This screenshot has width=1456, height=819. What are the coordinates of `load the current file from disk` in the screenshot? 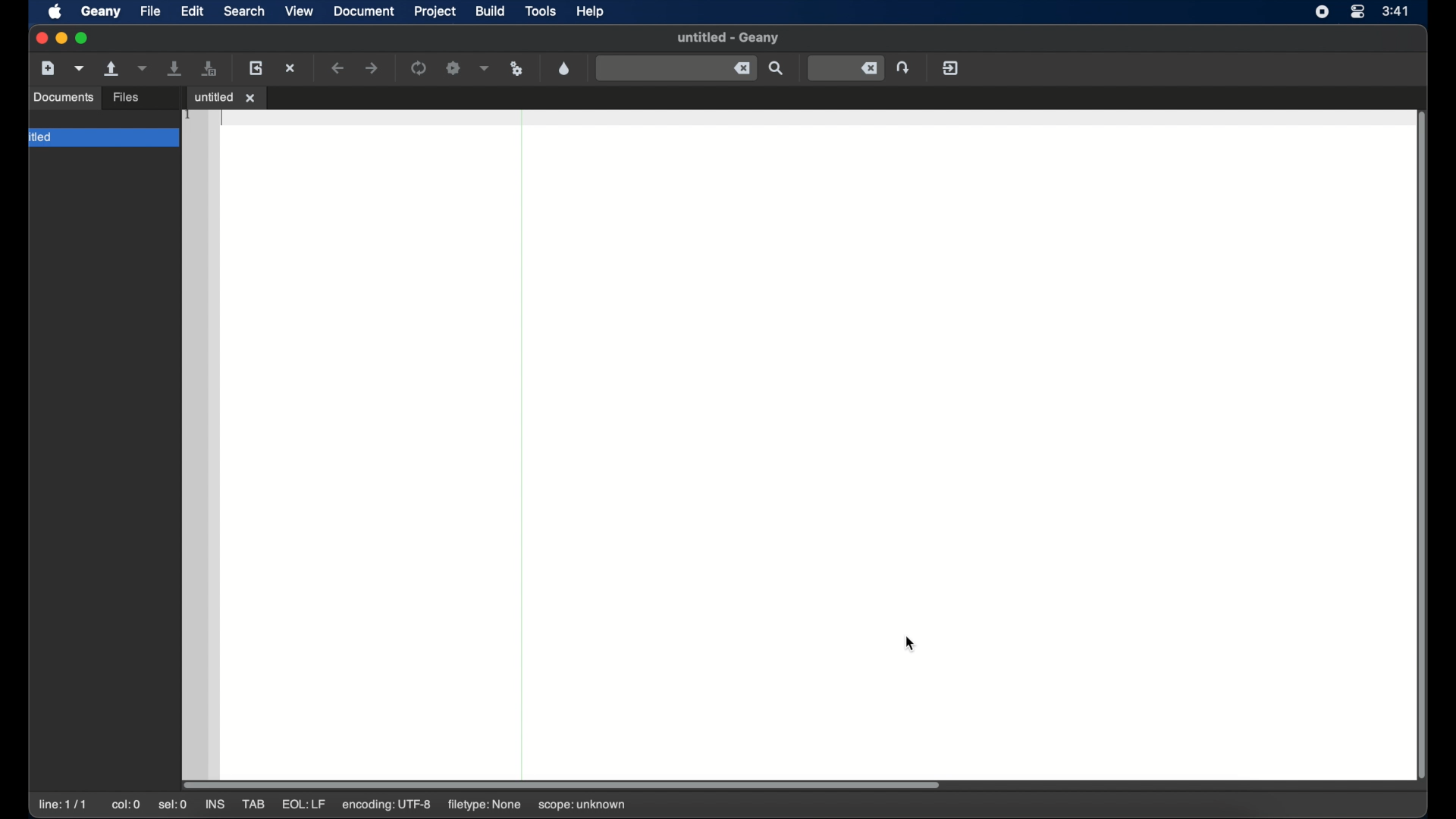 It's located at (256, 69).